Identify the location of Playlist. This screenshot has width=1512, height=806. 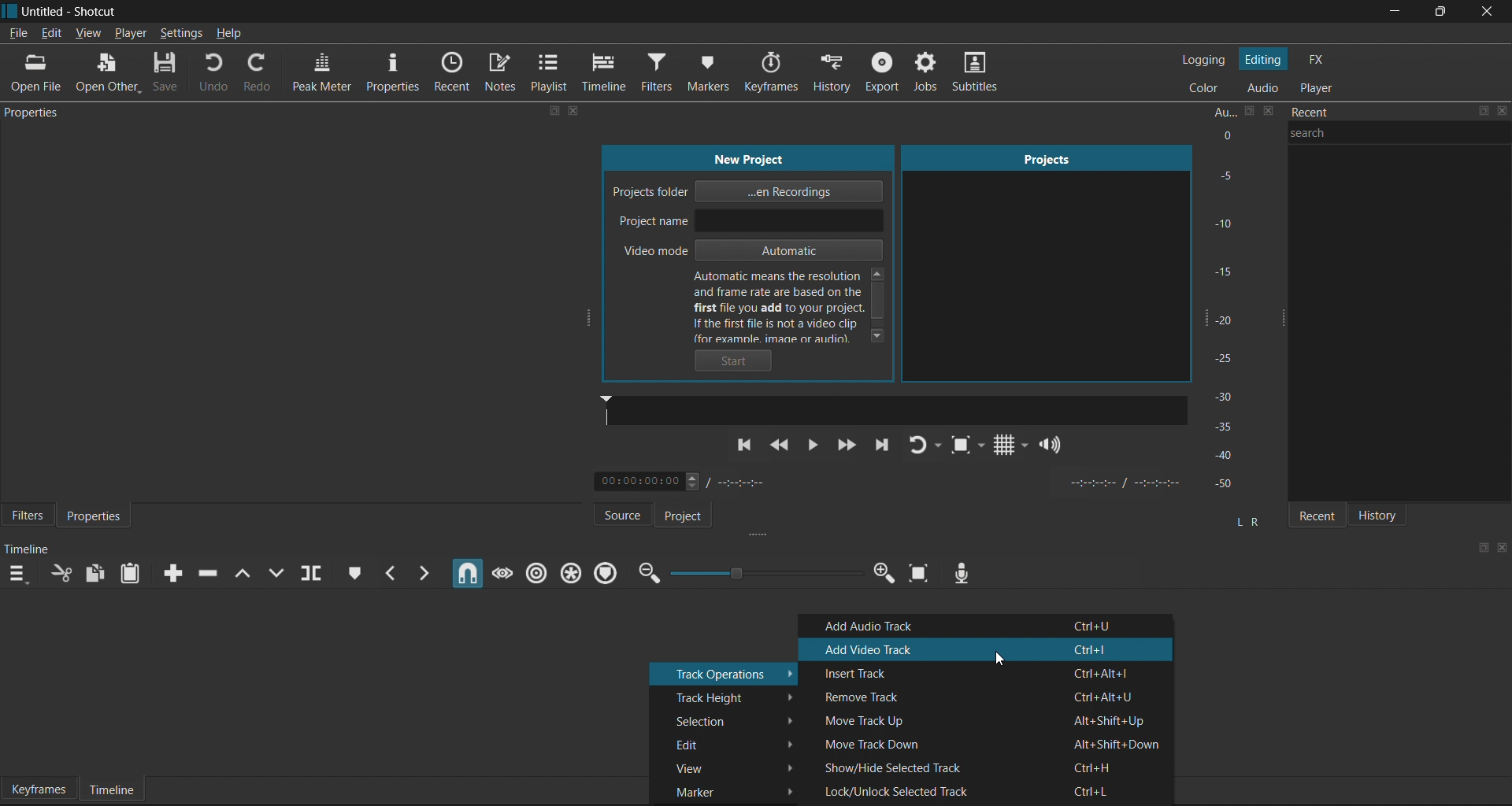
(551, 74).